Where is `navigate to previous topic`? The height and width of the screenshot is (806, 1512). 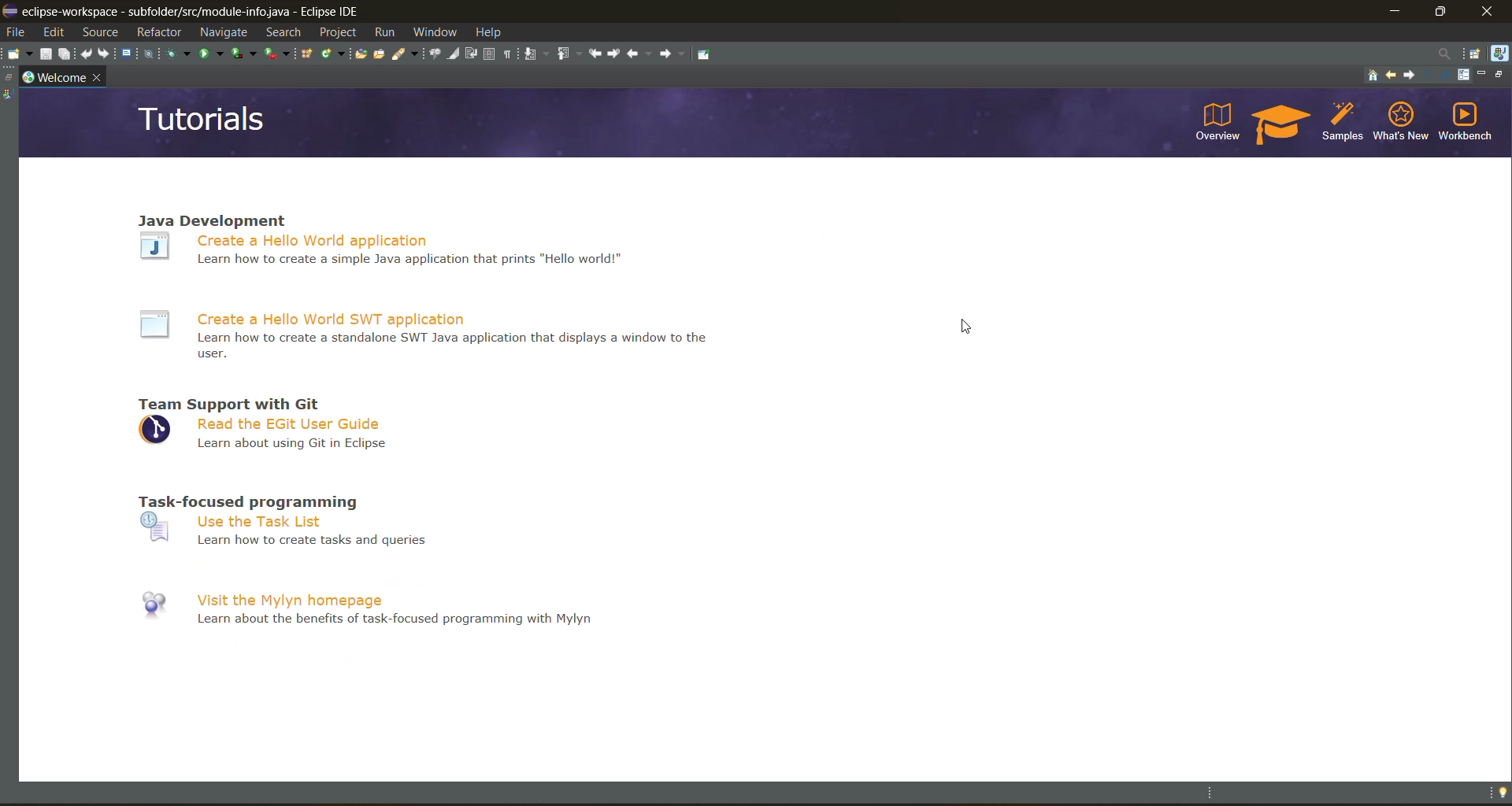 navigate to previous topic is located at coordinates (1392, 74).